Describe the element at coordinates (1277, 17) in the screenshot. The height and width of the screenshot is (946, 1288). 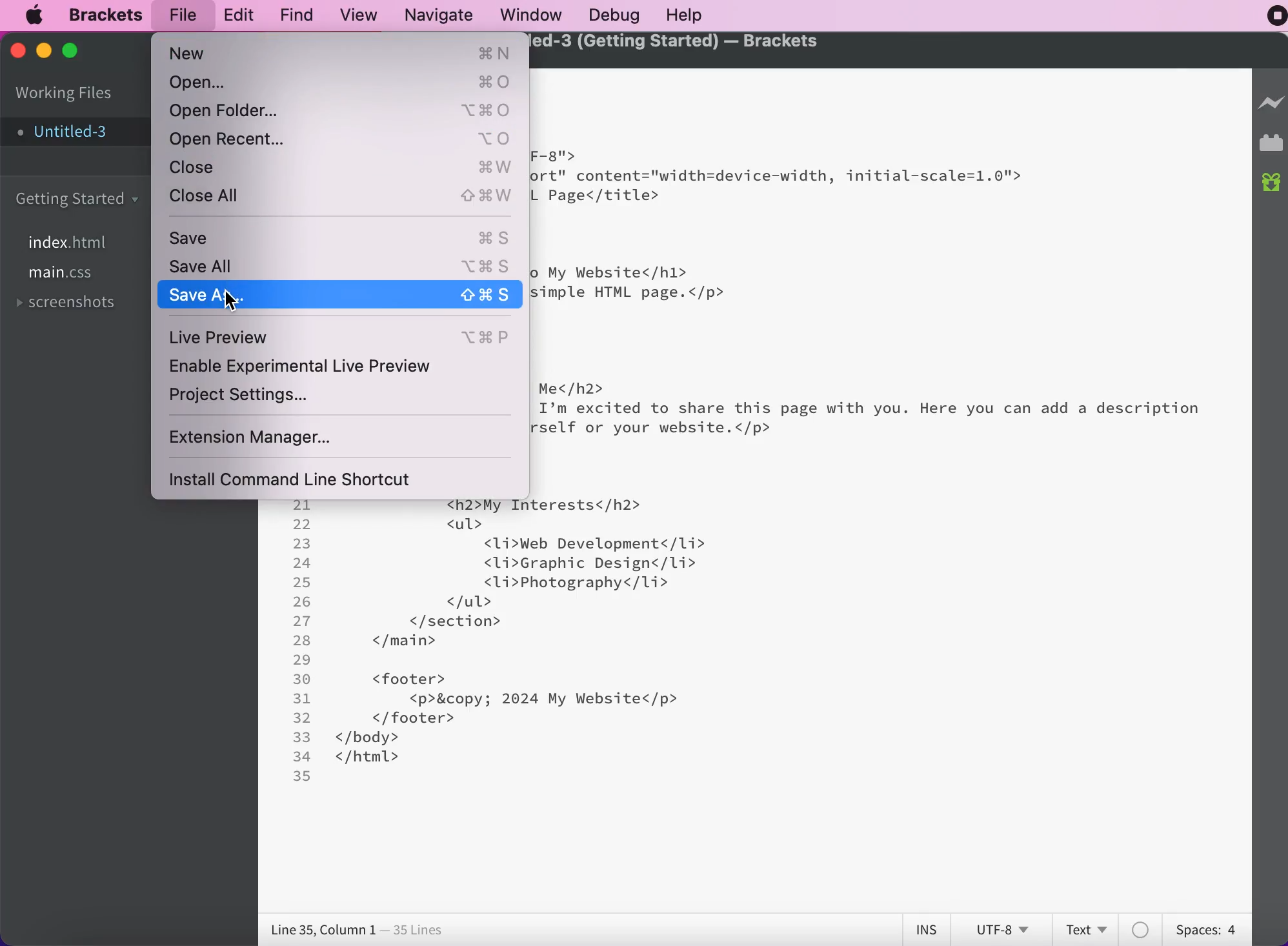
I see `recording stopped` at that location.